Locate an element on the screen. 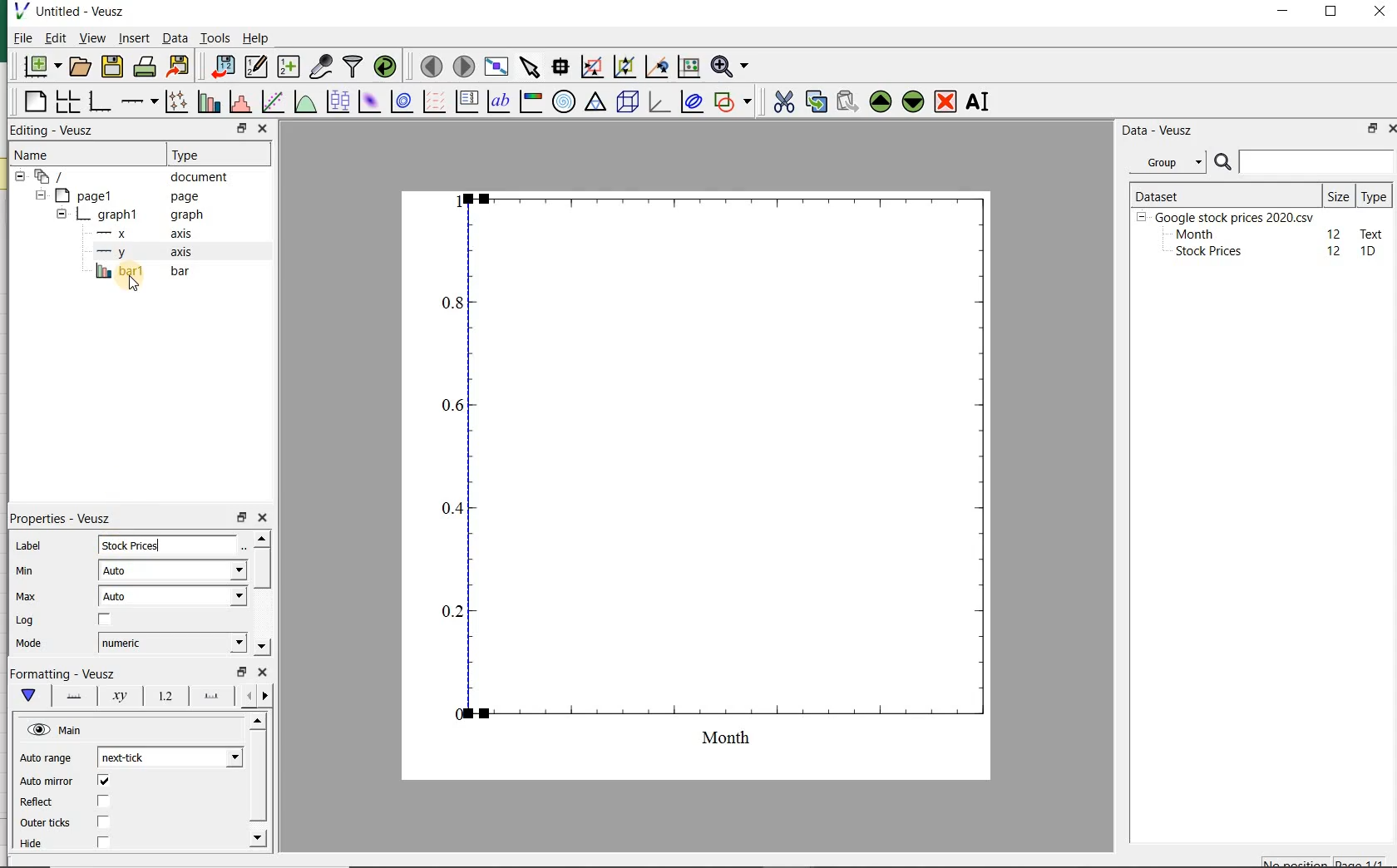 The height and width of the screenshot is (868, 1397). page1 is located at coordinates (121, 196).